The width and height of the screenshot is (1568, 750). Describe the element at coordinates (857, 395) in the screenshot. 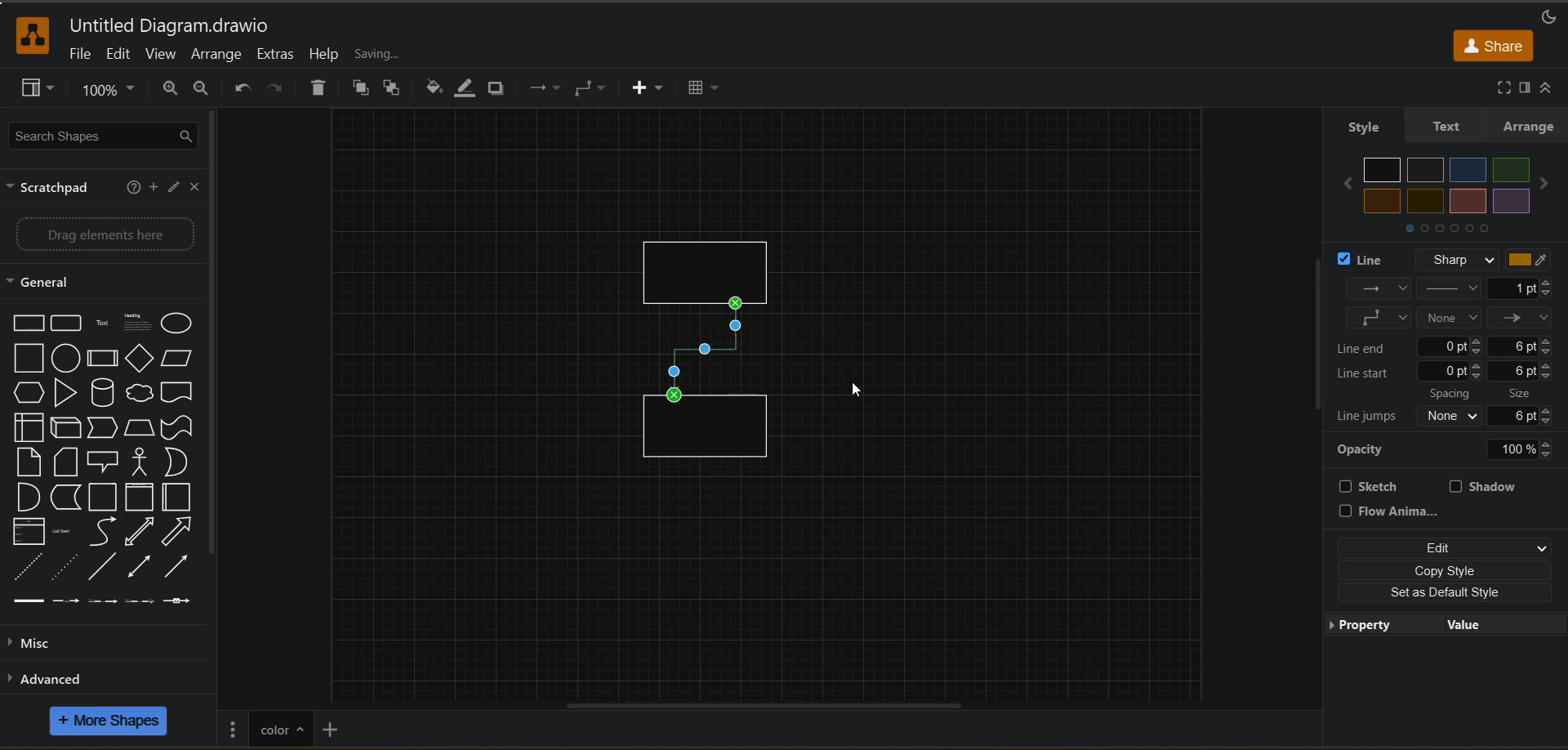

I see `cursor` at that location.